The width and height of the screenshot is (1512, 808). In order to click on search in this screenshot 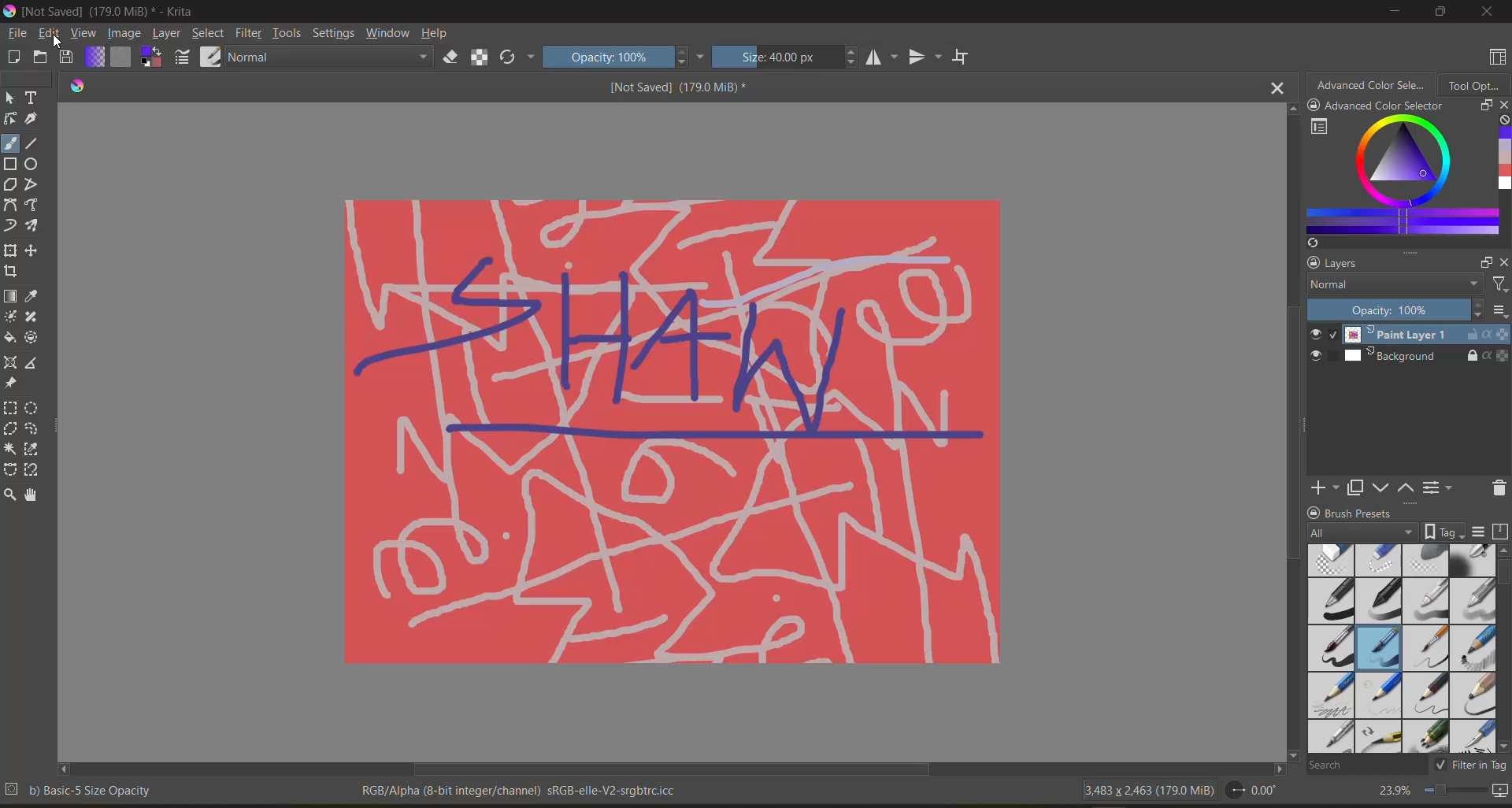, I will do `click(1363, 765)`.